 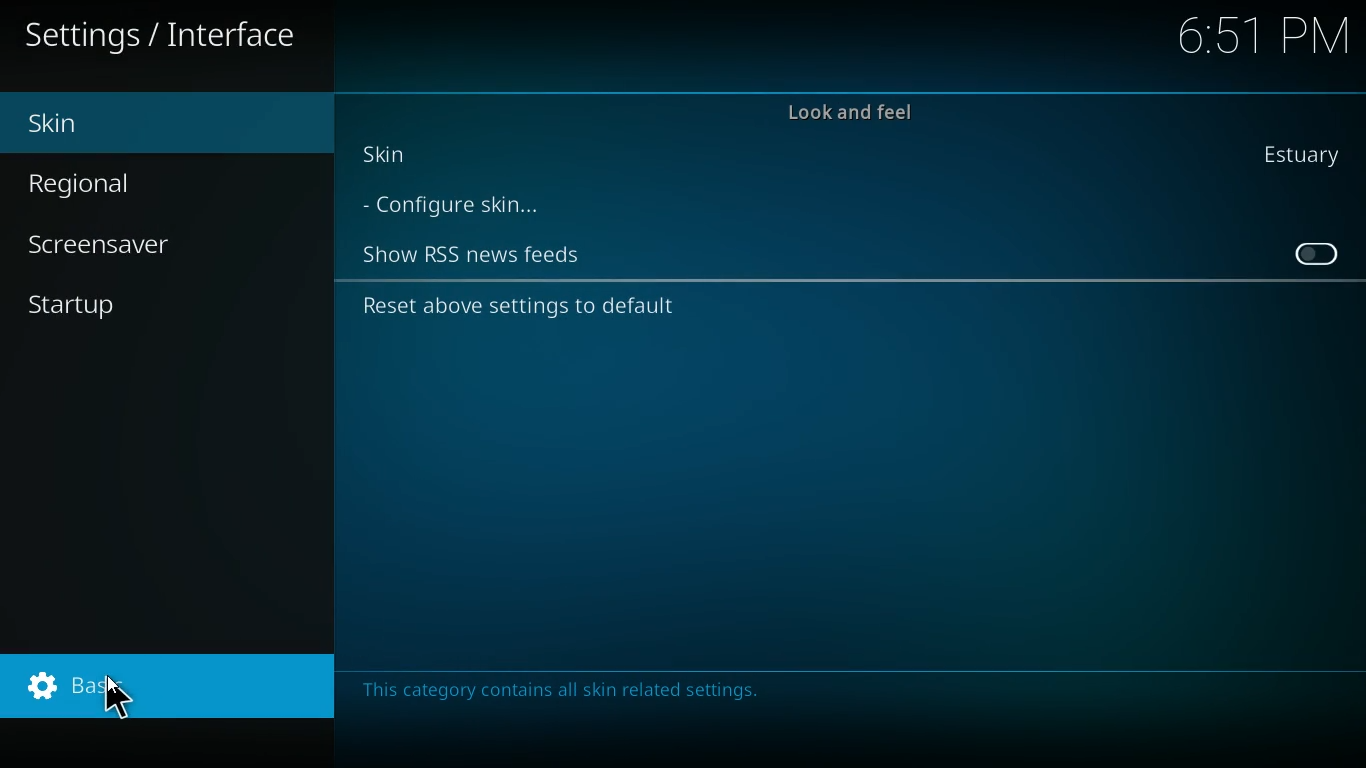 What do you see at coordinates (538, 310) in the screenshot?
I see `reset` at bounding box center [538, 310].